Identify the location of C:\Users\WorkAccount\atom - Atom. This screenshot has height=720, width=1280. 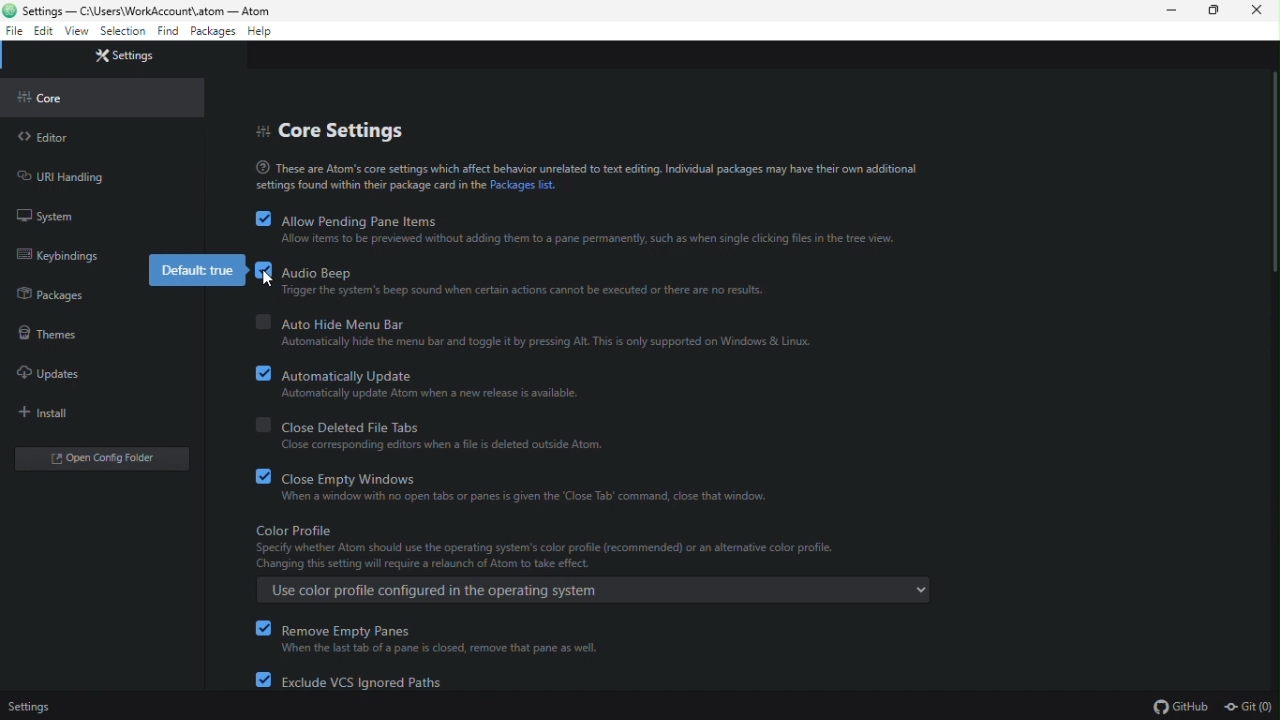
(150, 11).